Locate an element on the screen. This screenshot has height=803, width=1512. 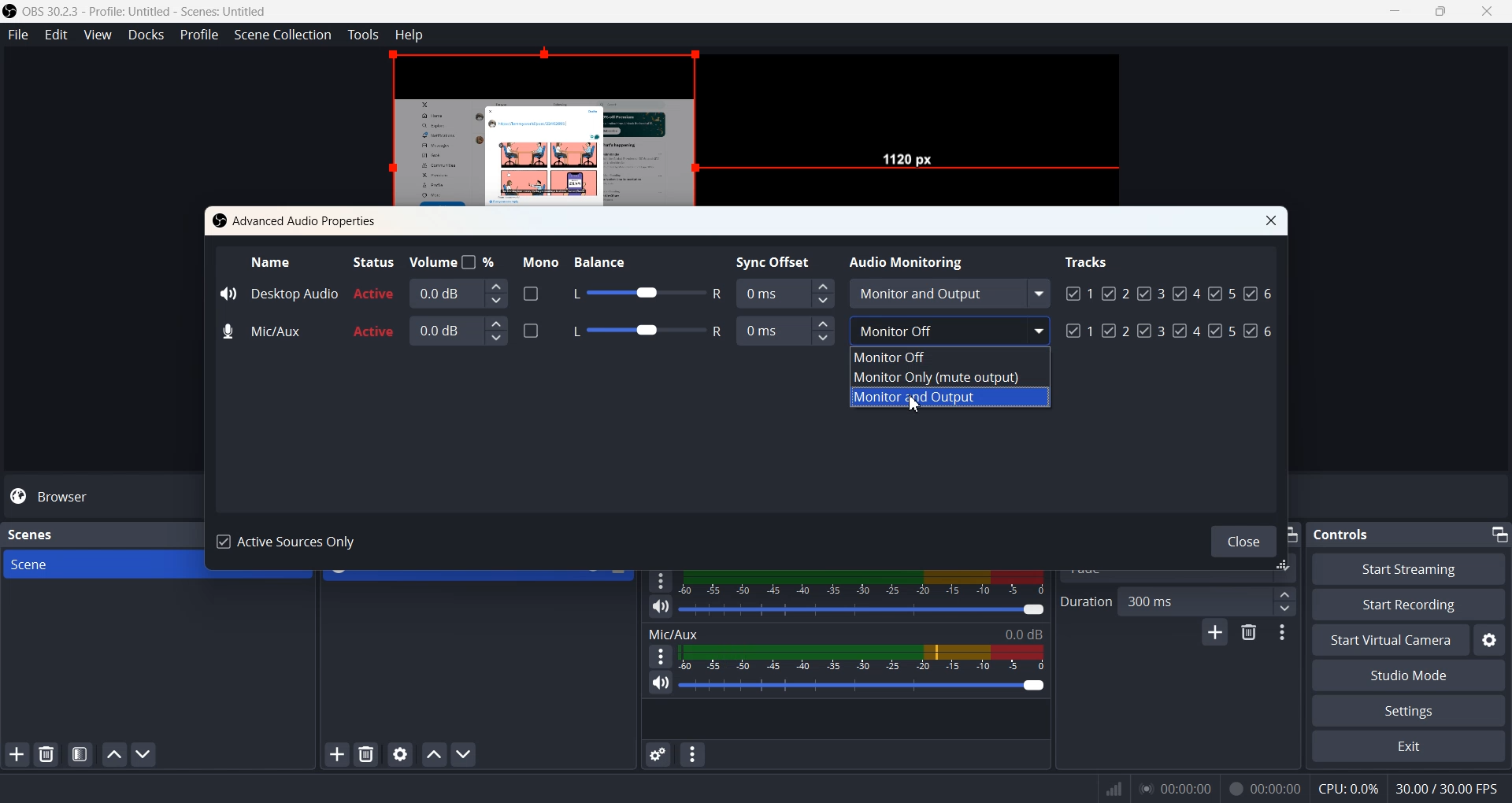
Move scene Down is located at coordinates (145, 755).